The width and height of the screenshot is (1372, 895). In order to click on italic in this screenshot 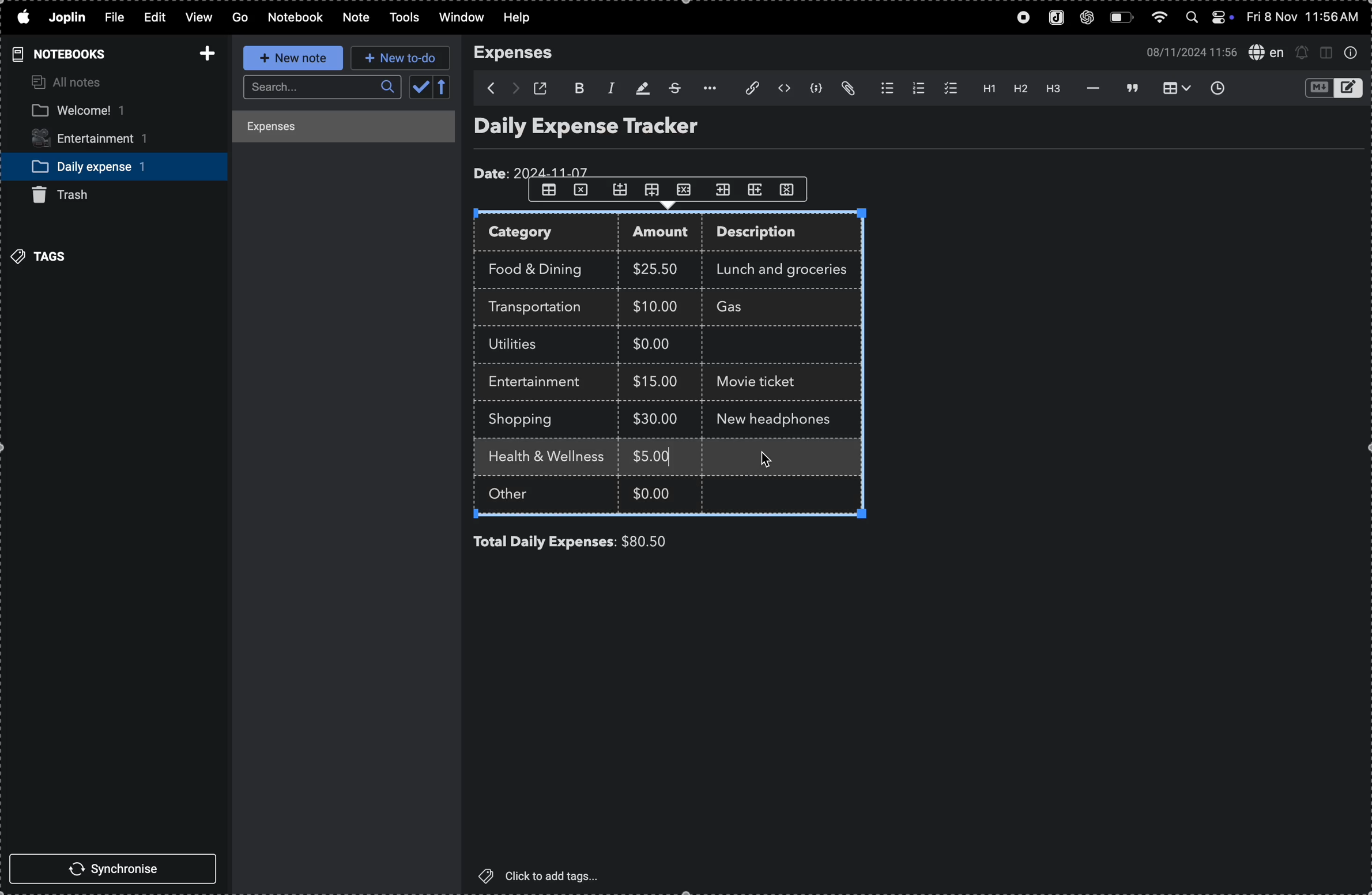, I will do `click(608, 87)`.